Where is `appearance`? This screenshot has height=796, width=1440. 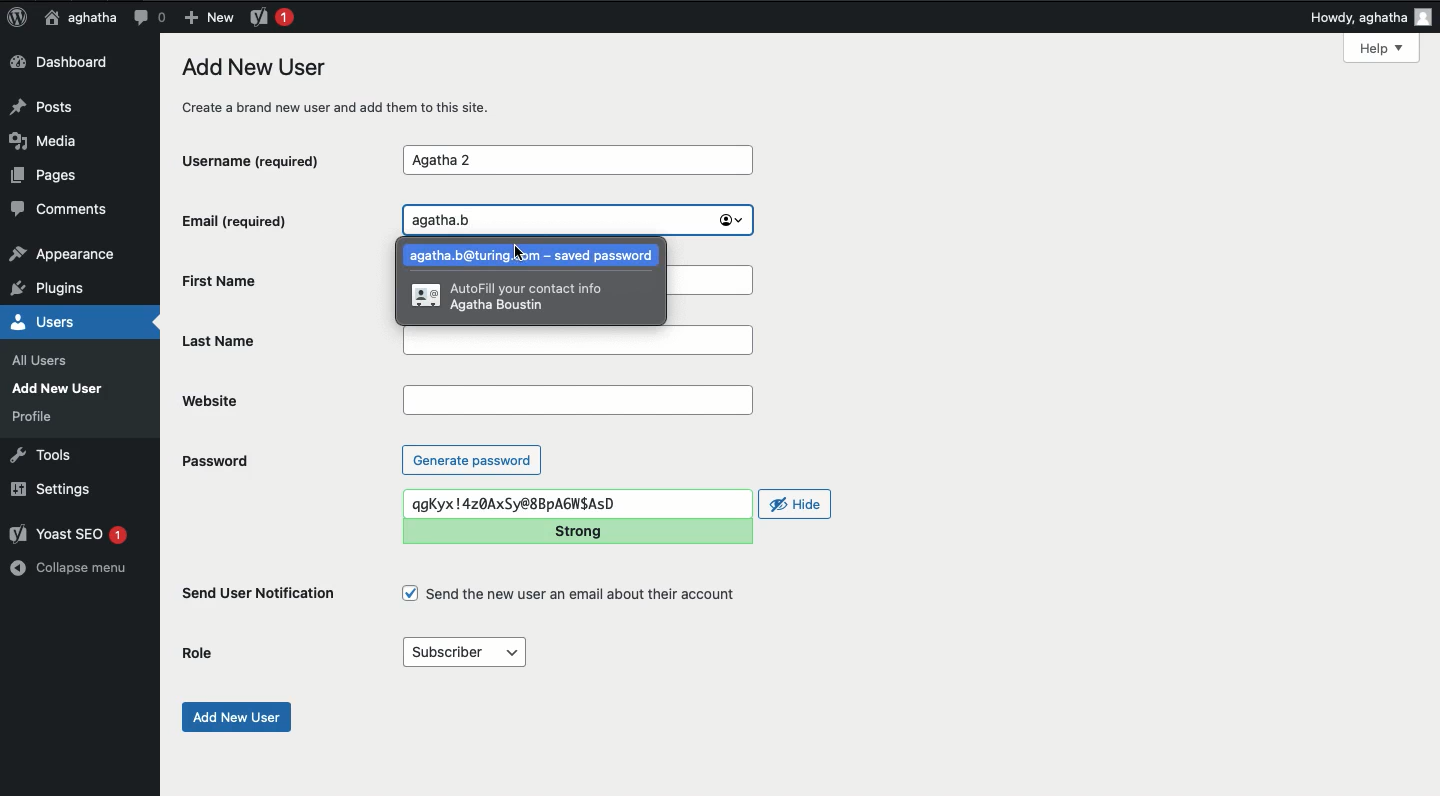
appearance is located at coordinates (63, 256).